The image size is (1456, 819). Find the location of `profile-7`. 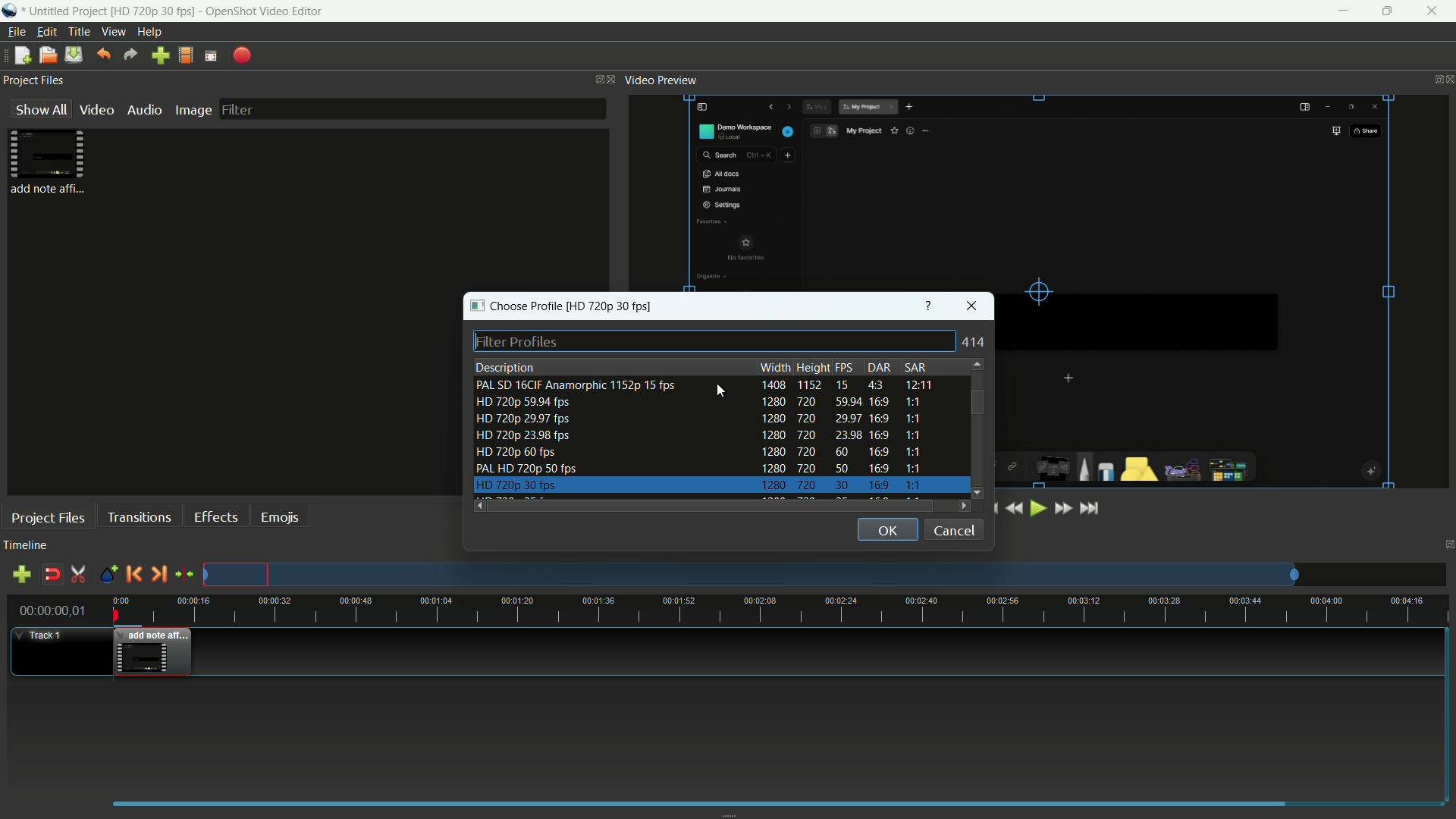

profile-7 is located at coordinates (703, 486).